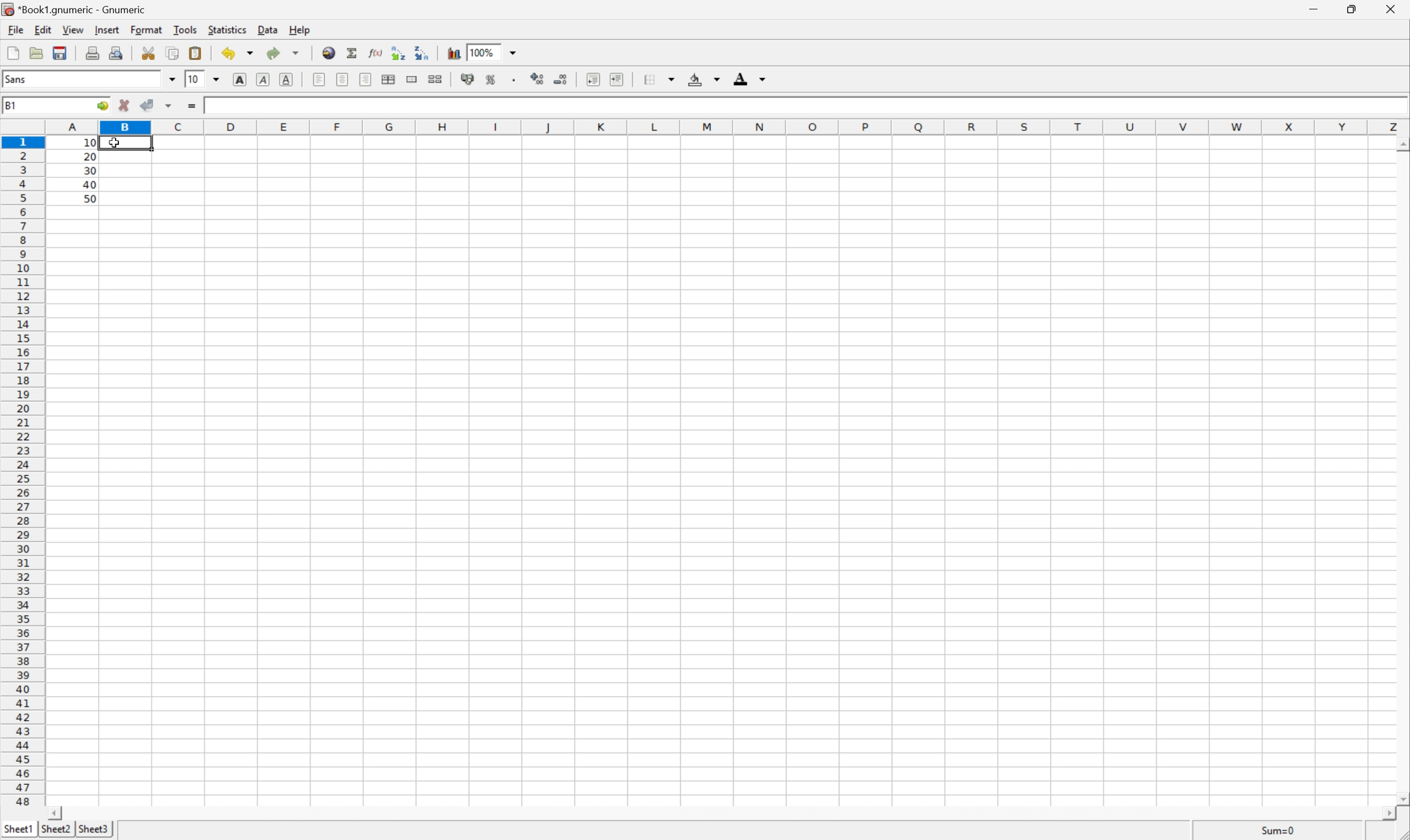  What do you see at coordinates (22, 472) in the screenshot?
I see `Row Number` at bounding box center [22, 472].